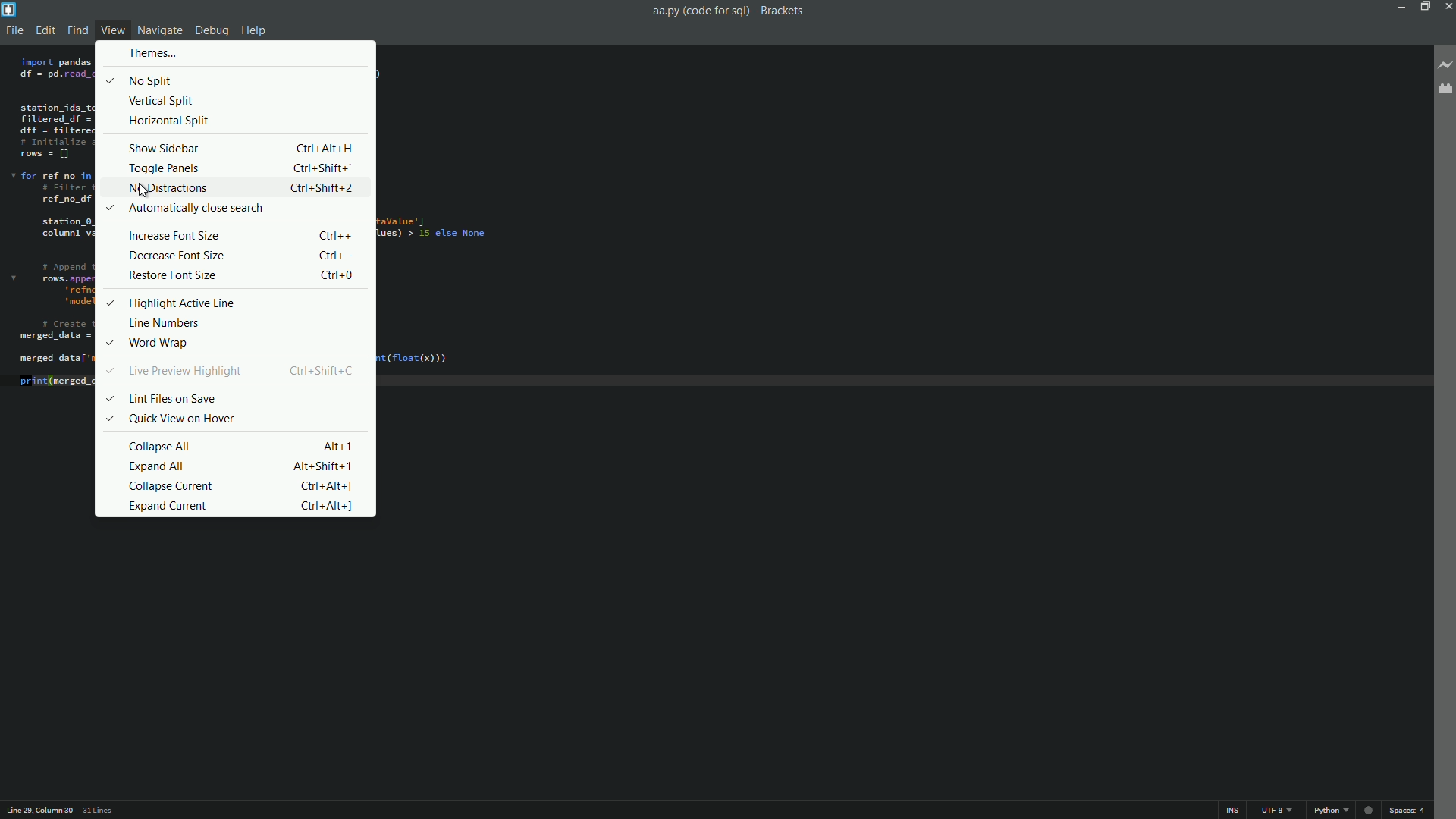 The height and width of the screenshot is (819, 1456). Describe the element at coordinates (1447, 6) in the screenshot. I see `close app button` at that location.